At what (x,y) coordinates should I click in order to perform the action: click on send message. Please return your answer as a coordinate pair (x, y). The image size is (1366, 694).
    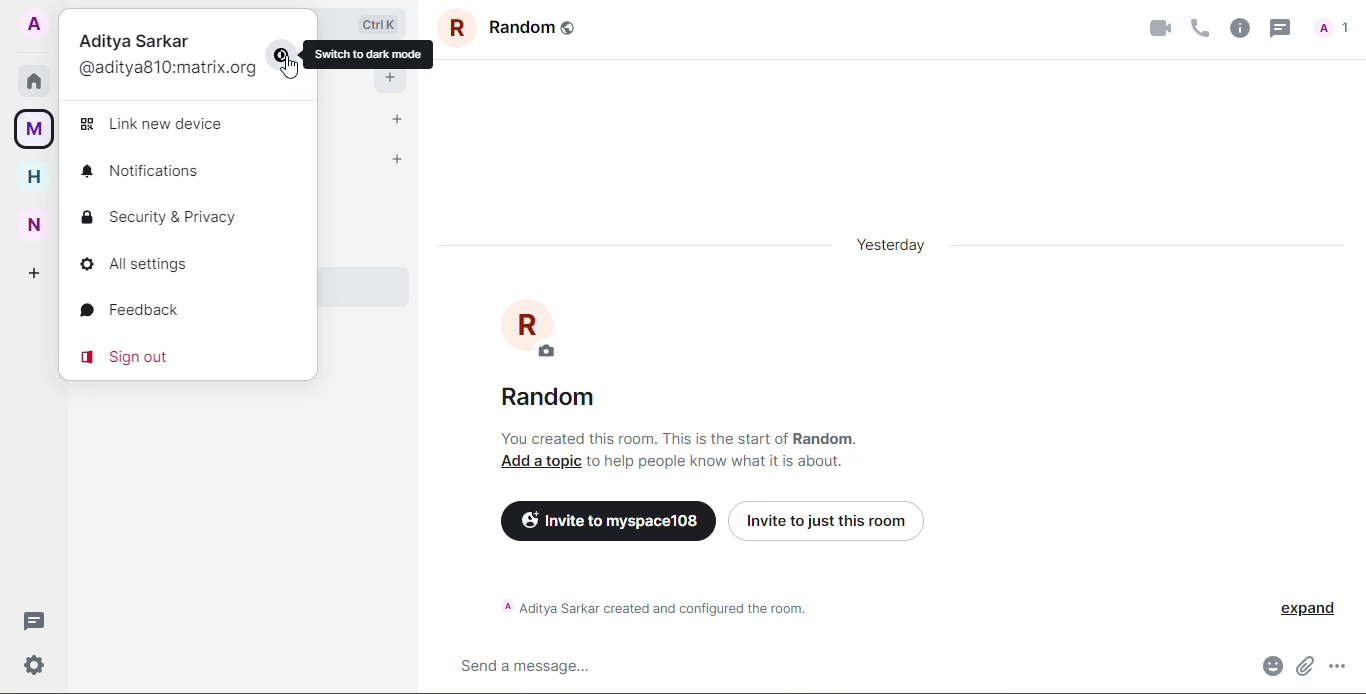
    Looking at the image, I should click on (523, 667).